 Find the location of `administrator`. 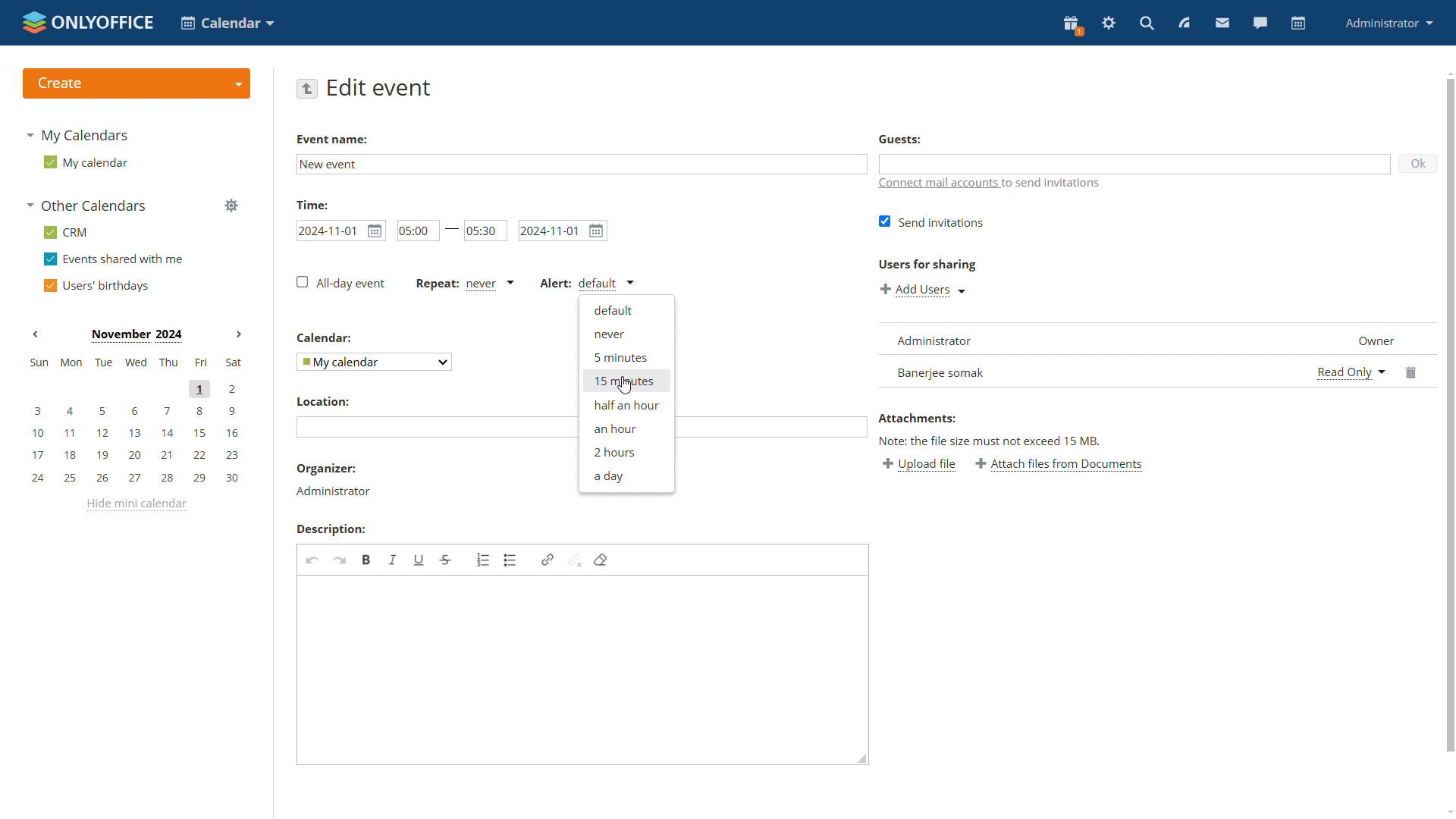

administrator is located at coordinates (1387, 24).